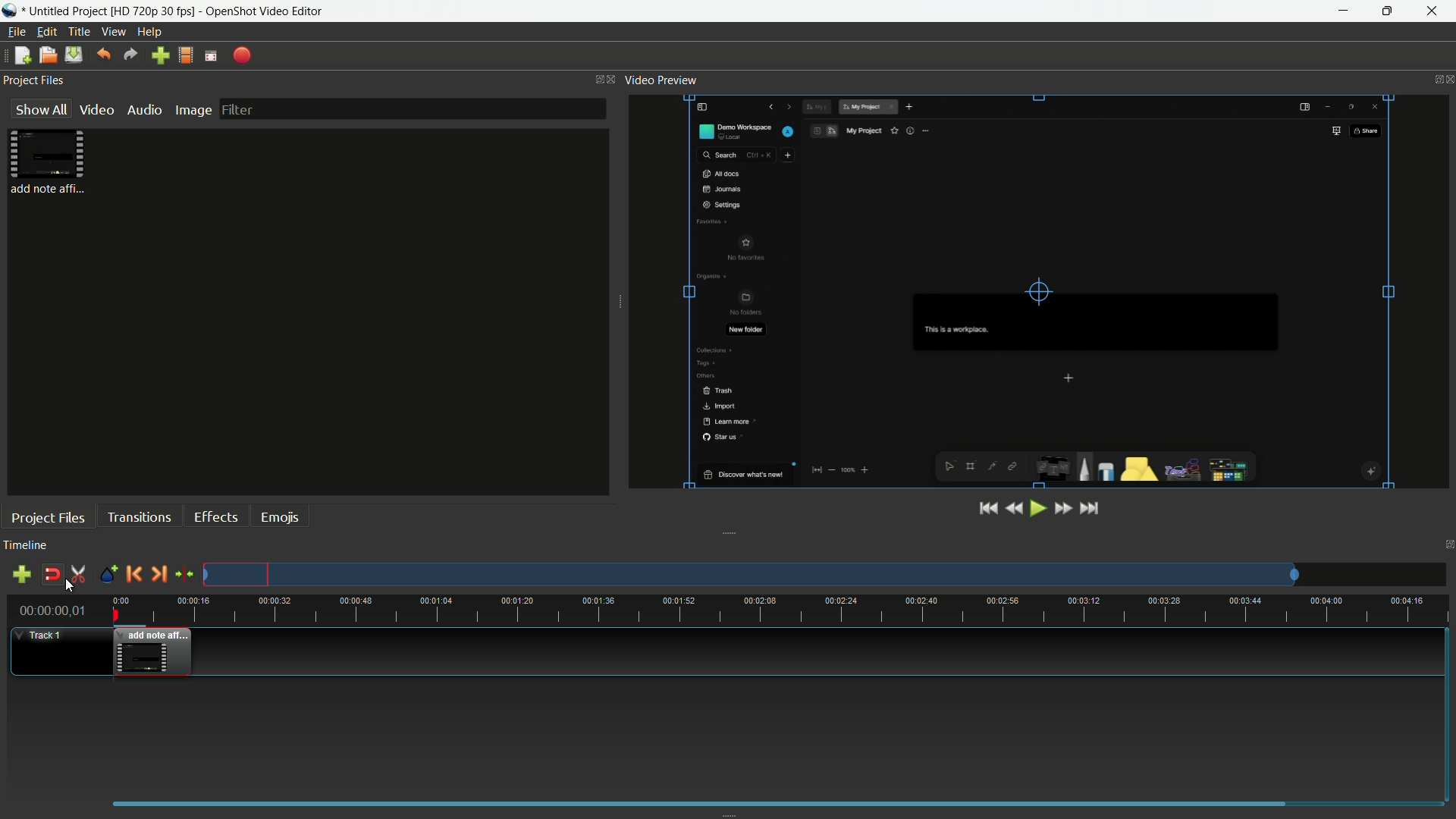 The height and width of the screenshot is (819, 1456). What do you see at coordinates (1436, 11) in the screenshot?
I see `close app` at bounding box center [1436, 11].